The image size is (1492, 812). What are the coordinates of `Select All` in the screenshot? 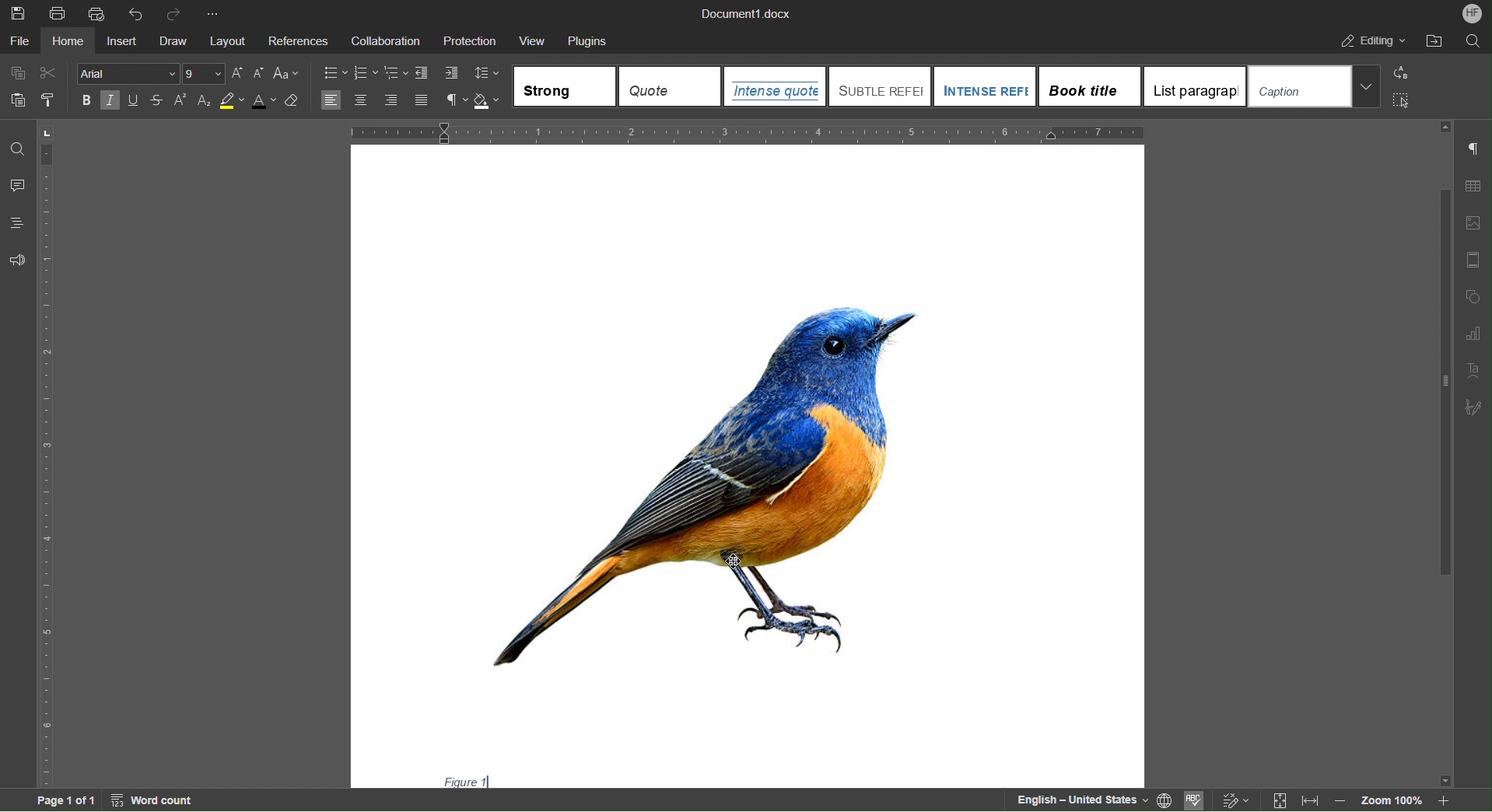 It's located at (1400, 101).